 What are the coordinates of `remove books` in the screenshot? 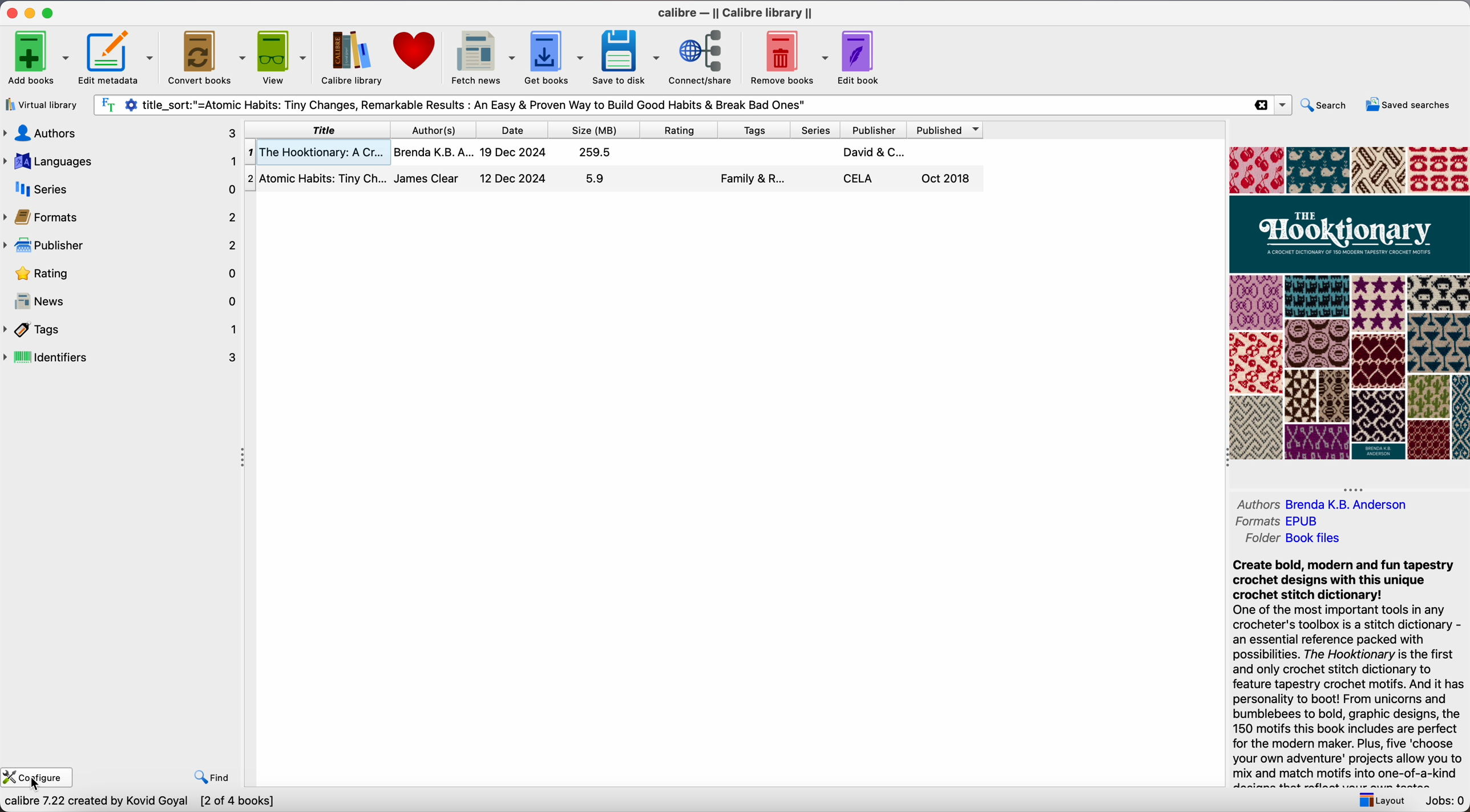 It's located at (788, 55).